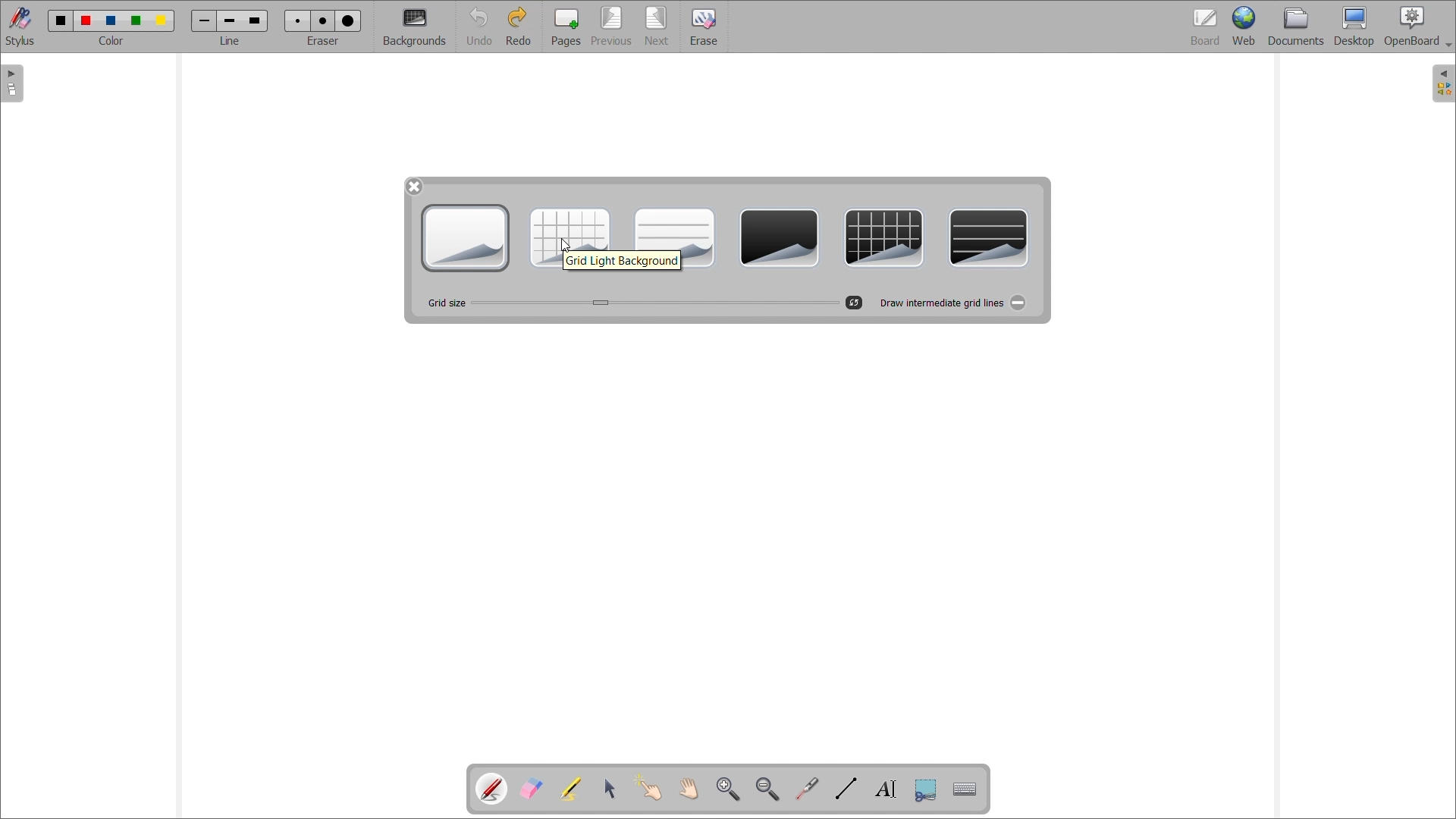 The width and height of the screenshot is (1456, 819). I want to click on Show documents, so click(1296, 26).